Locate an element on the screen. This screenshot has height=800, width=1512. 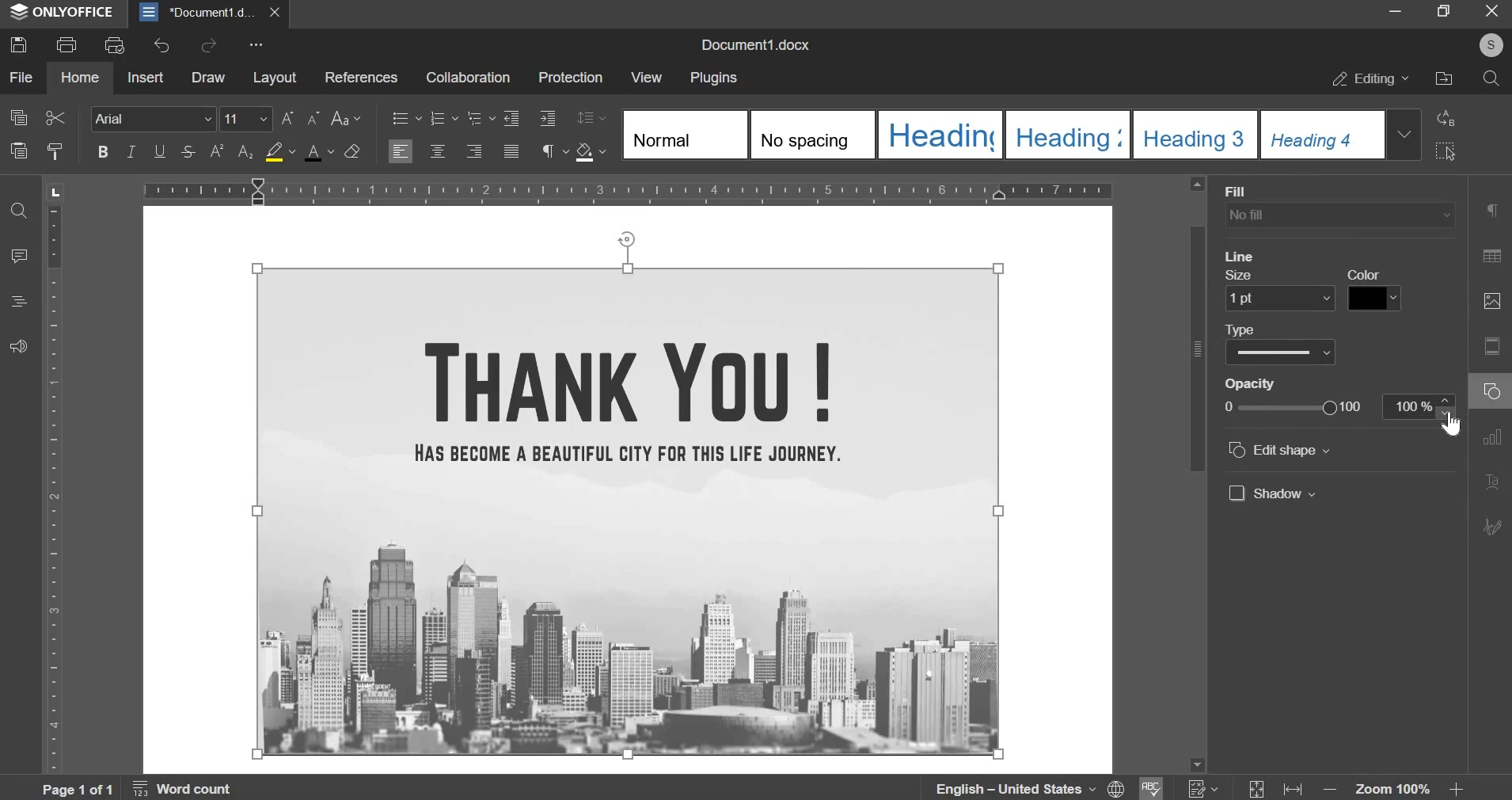
decremental font size is located at coordinates (315, 119).